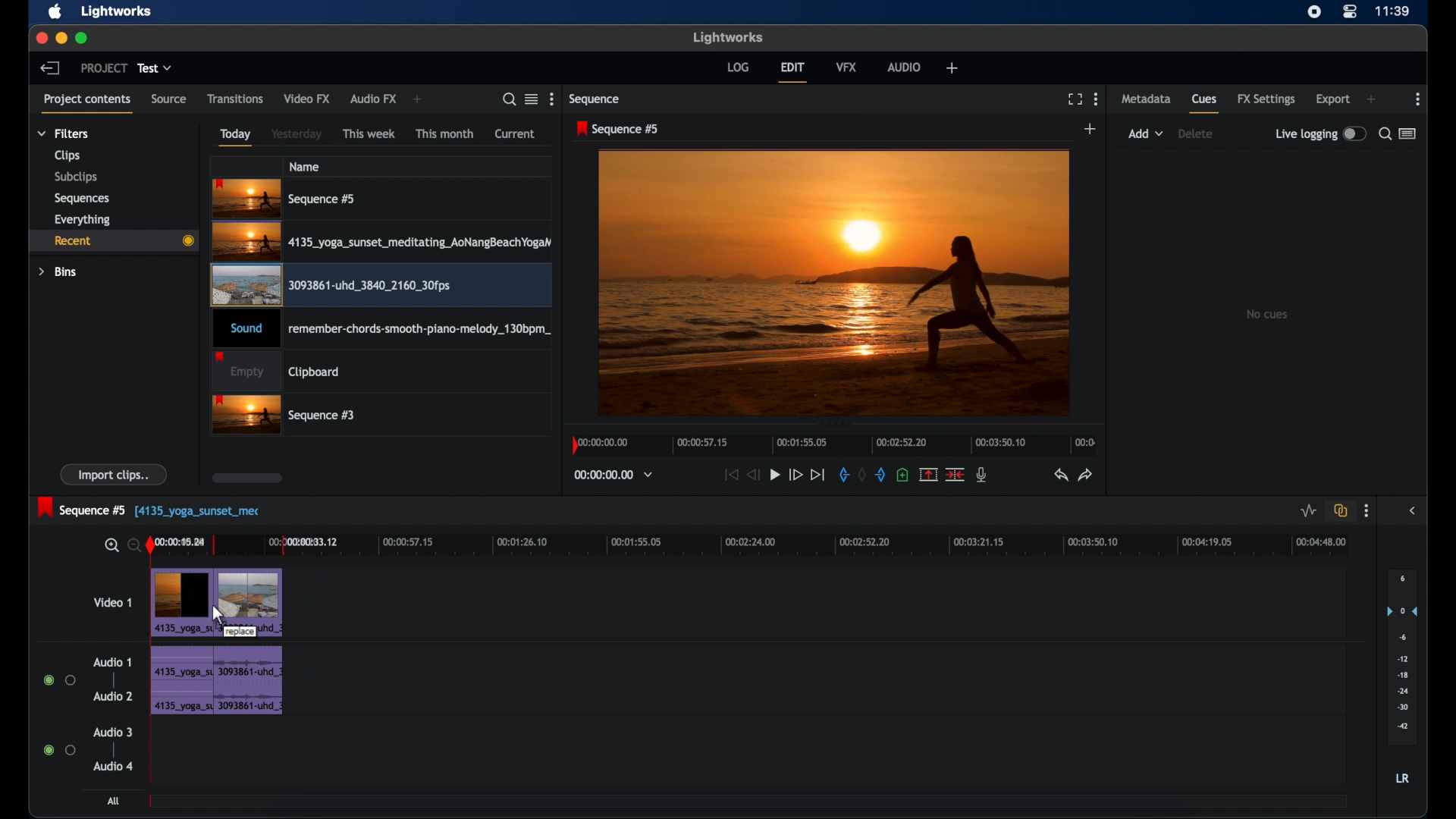 This screenshot has height=819, width=1456. What do you see at coordinates (83, 220) in the screenshot?
I see `everything` at bounding box center [83, 220].